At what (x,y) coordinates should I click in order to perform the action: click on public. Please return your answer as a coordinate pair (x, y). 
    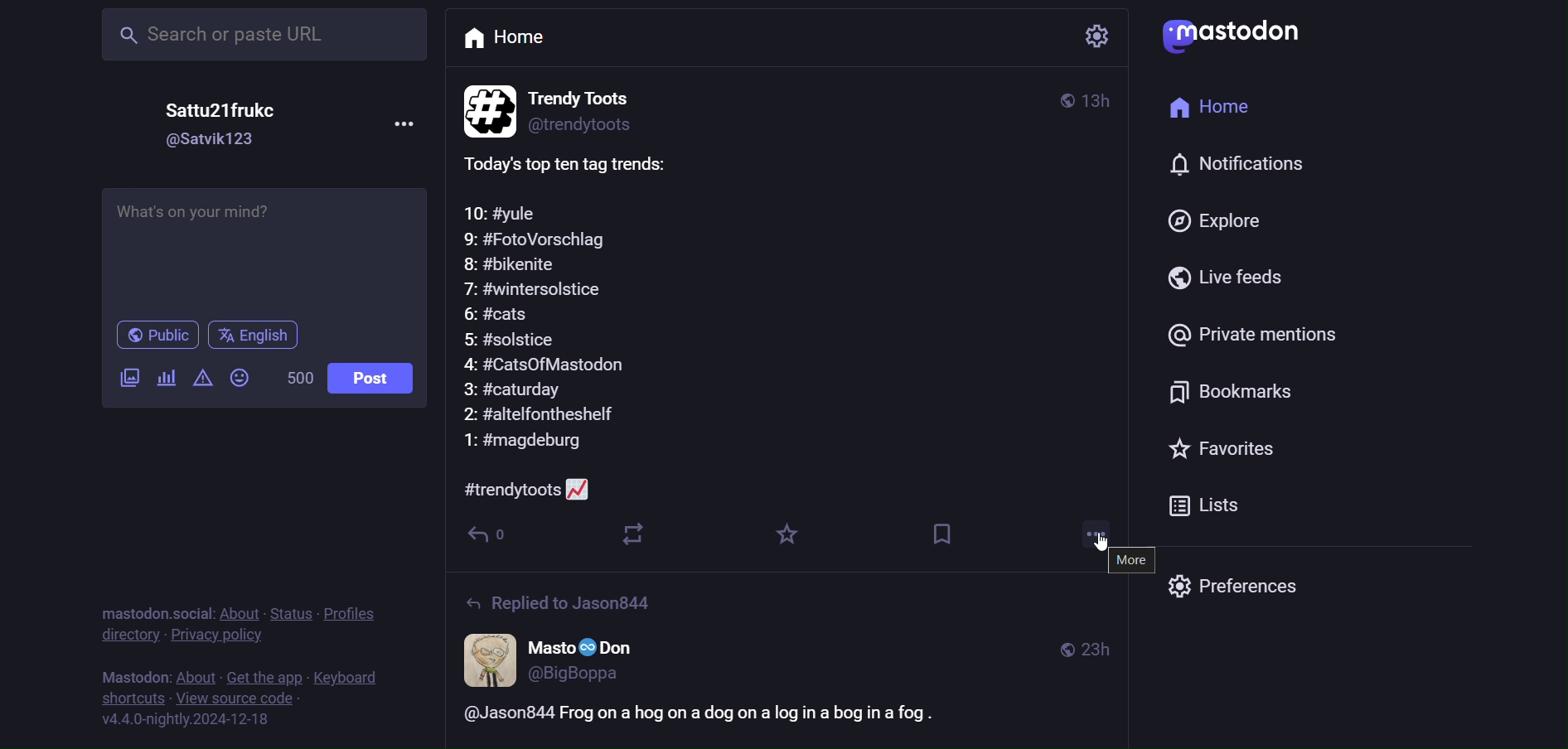
    Looking at the image, I should click on (148, 335).